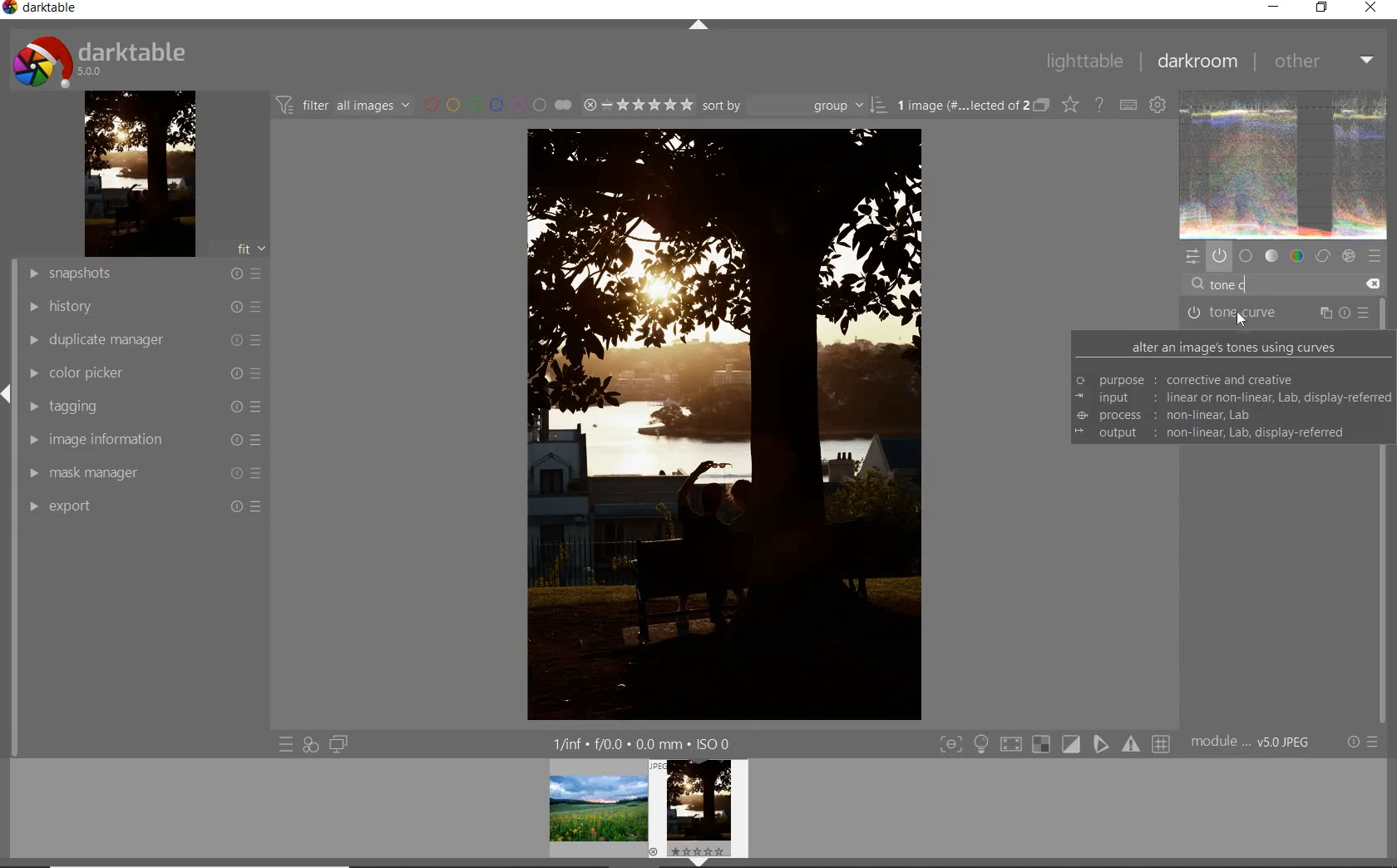  Describe the element at coordinates (500, 104) in the screenshot. I see `filter by image color label` at that location.